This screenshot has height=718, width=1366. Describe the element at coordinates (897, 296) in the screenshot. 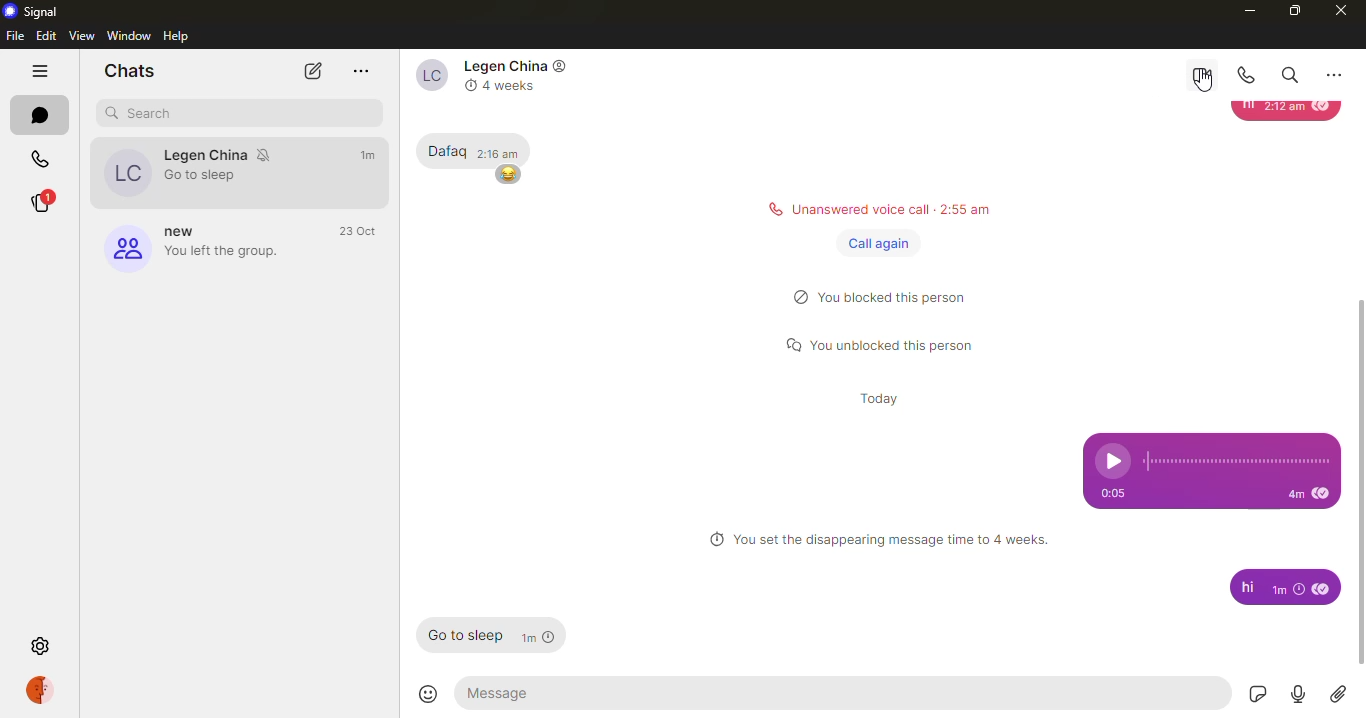

I see `) You blocked this person` at that location.